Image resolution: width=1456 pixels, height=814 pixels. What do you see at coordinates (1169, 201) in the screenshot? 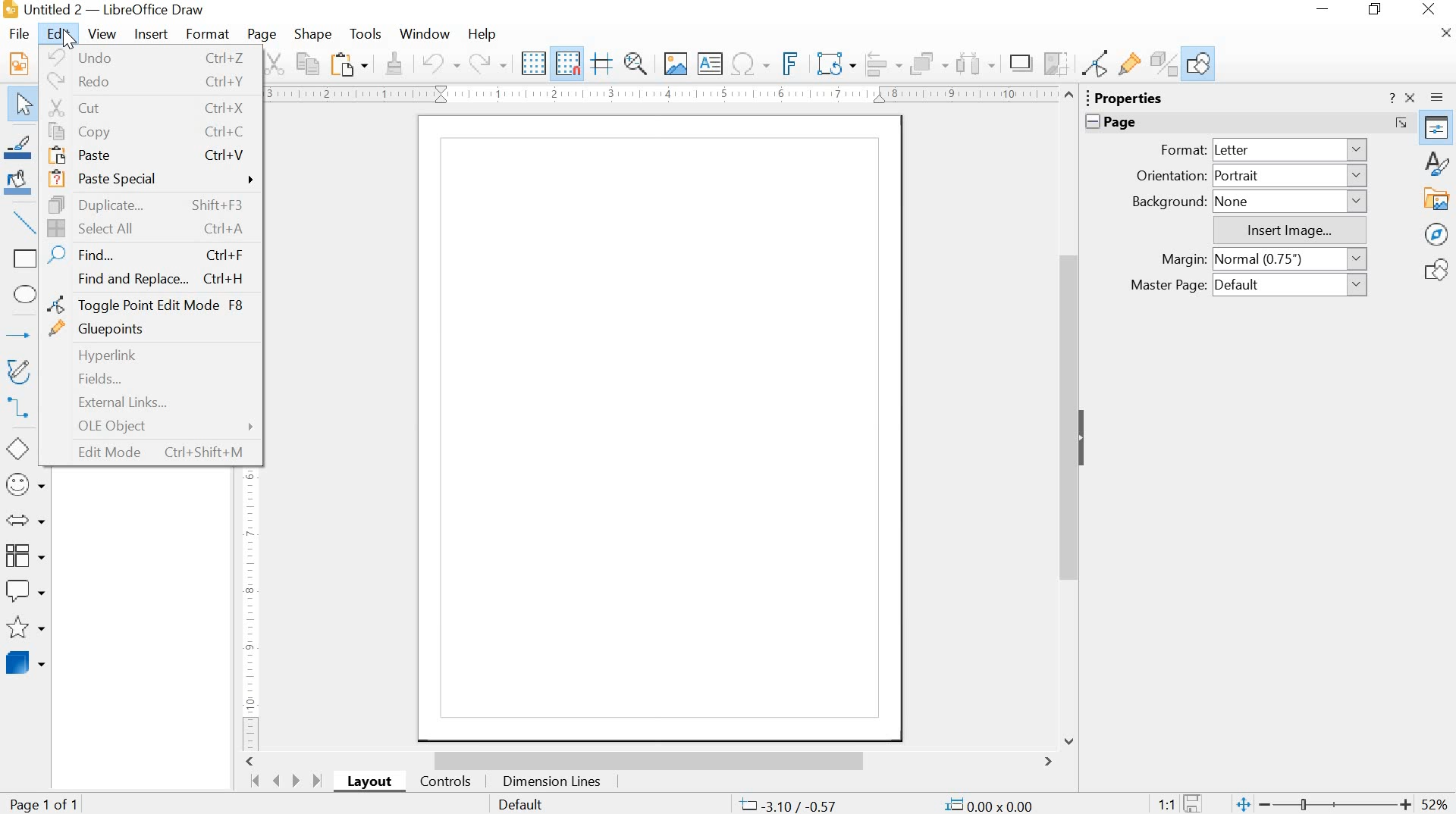
I see `Background` at bounding box center [1169, 201].